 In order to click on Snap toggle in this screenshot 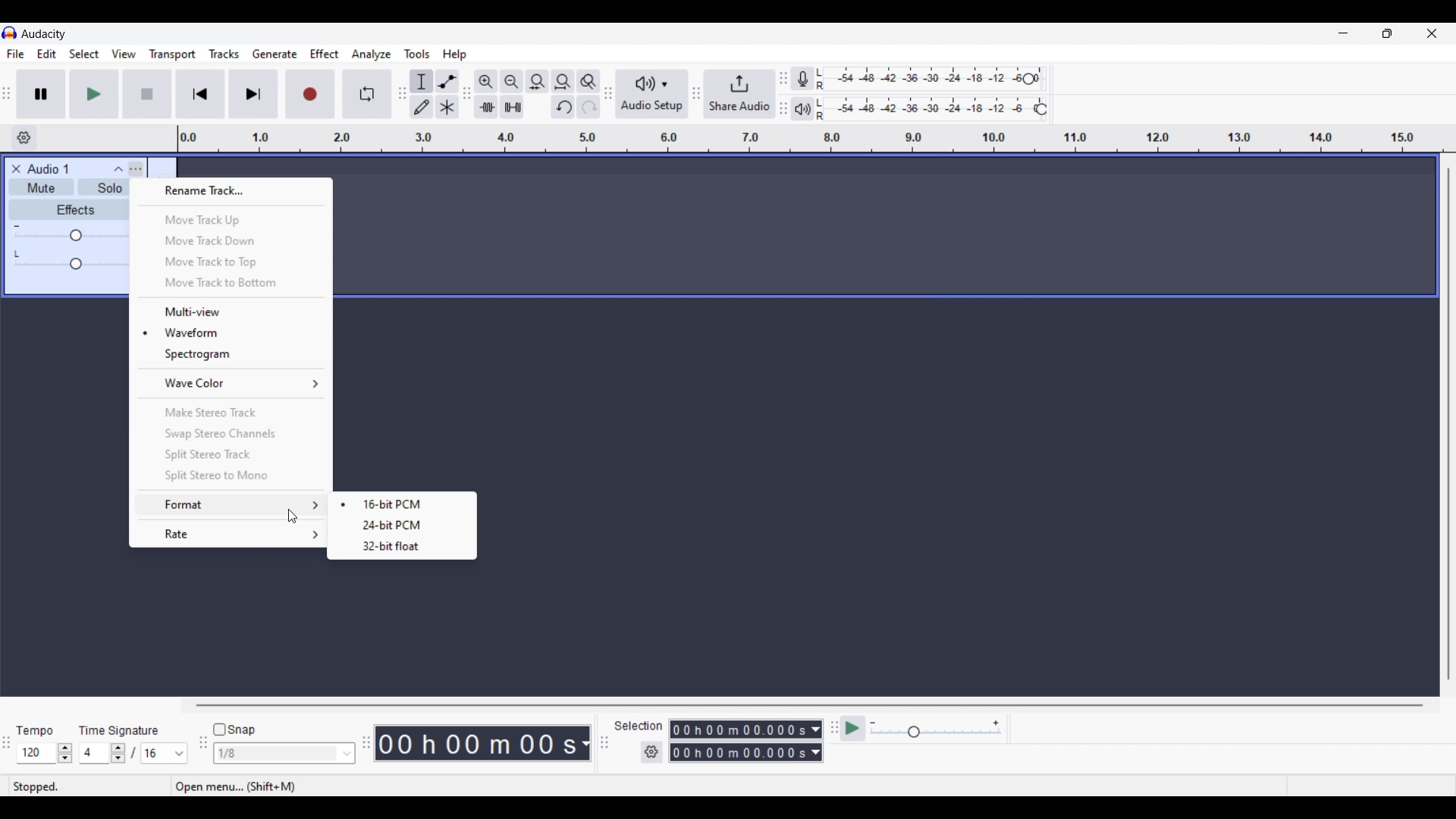, I will do `click(235, 730)`.